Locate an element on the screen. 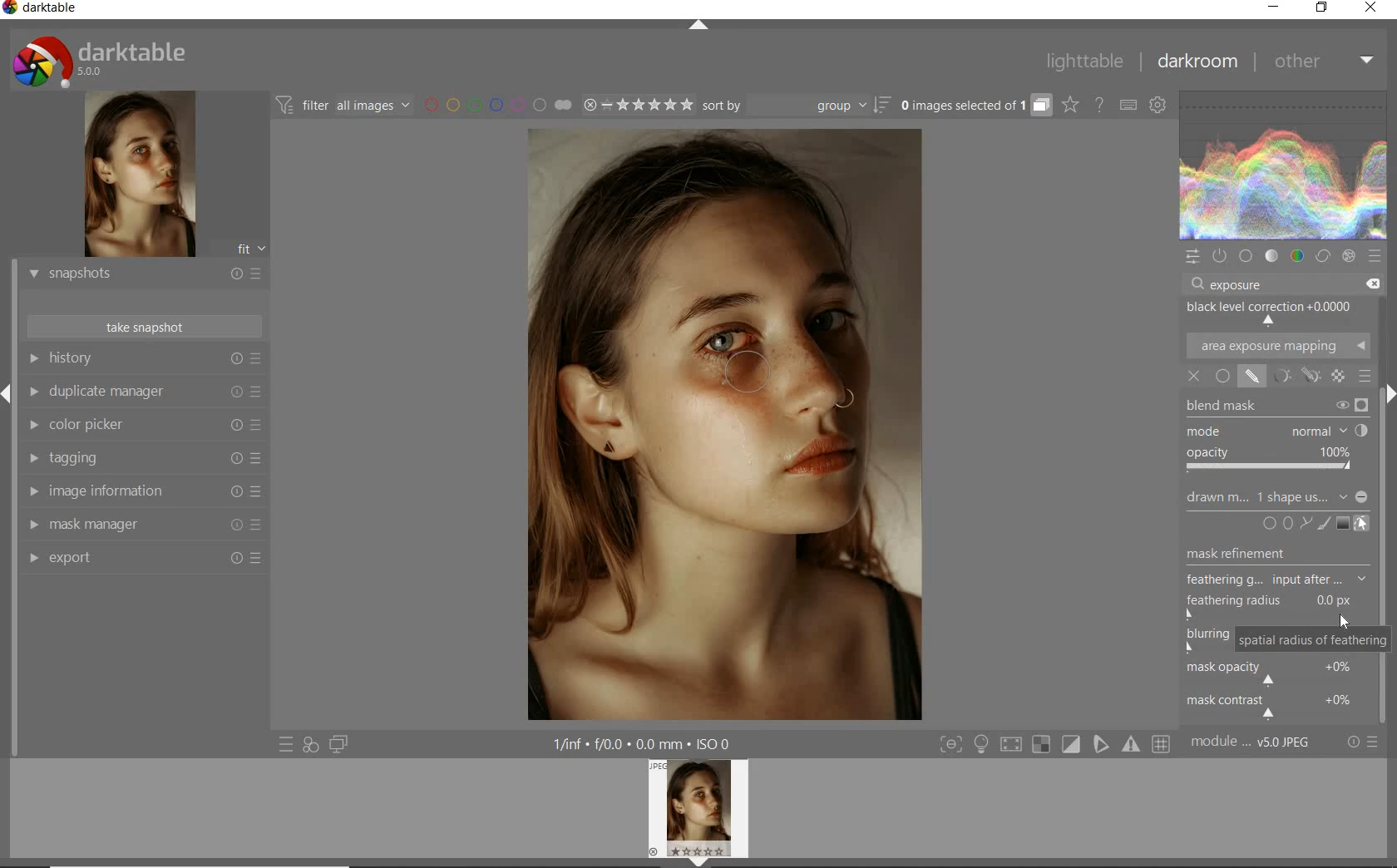  correct is located at coordinates (1324, 254).